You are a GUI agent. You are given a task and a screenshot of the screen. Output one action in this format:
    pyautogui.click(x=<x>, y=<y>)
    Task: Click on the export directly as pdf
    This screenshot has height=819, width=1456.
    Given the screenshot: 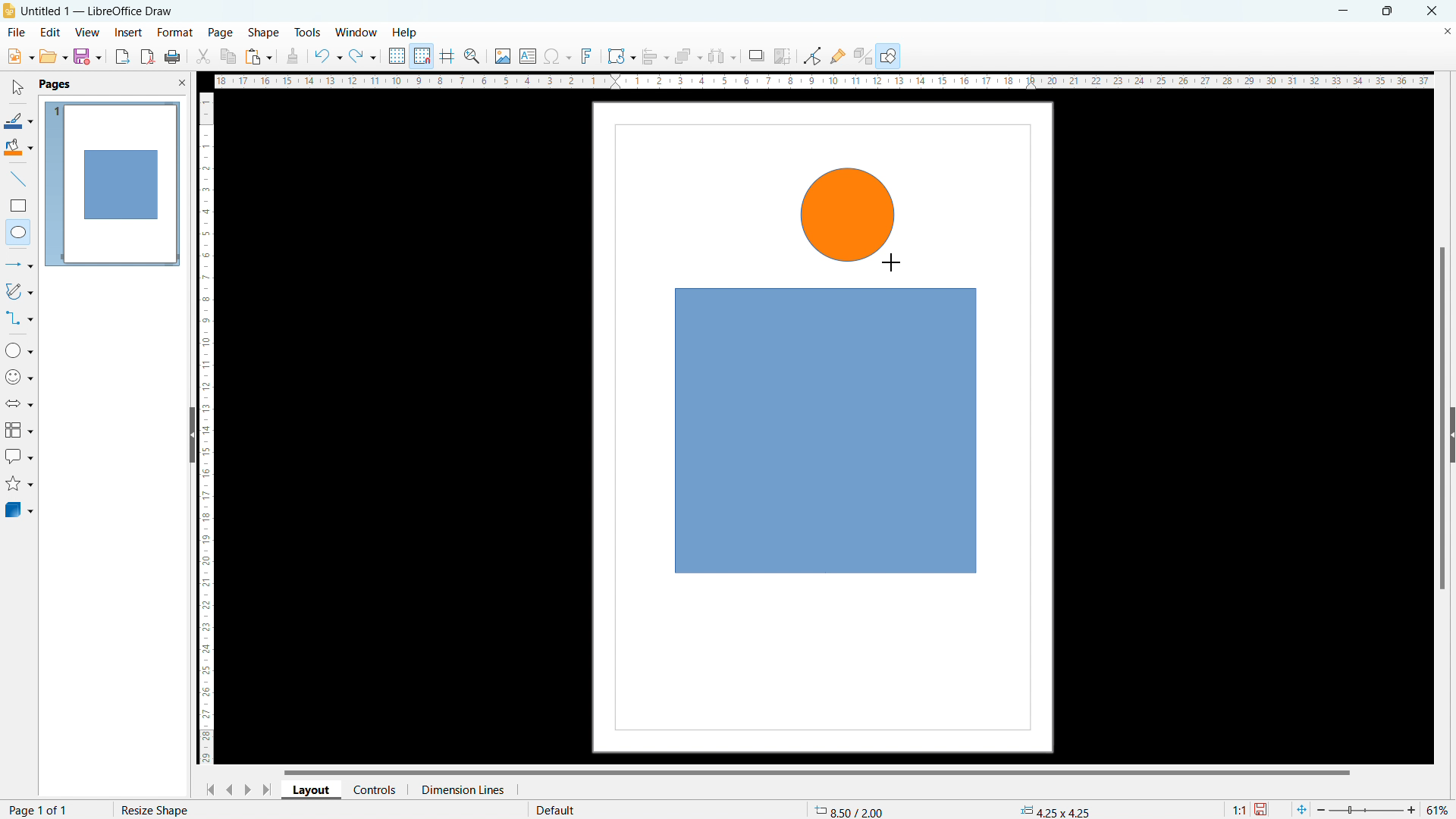 What is the action you would take?
    pyautogui.click(x=147, y=57)
    